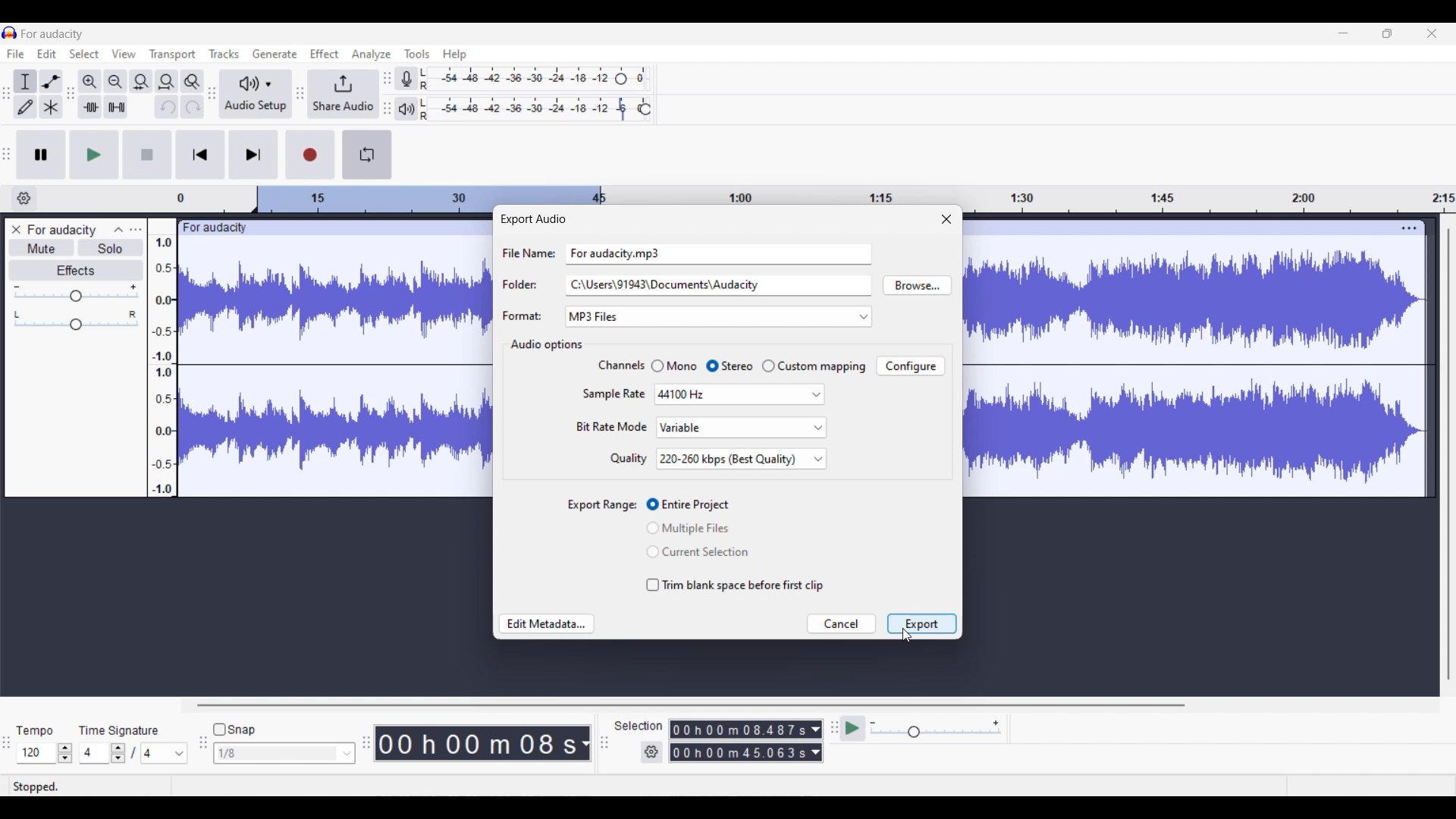 The height and width of the screenshot is (819, 1456). What do you see at coordinates (527, 284) in the screenshot?
I see `Indicates text box for respective setting options` at bounding box center [527, 284].